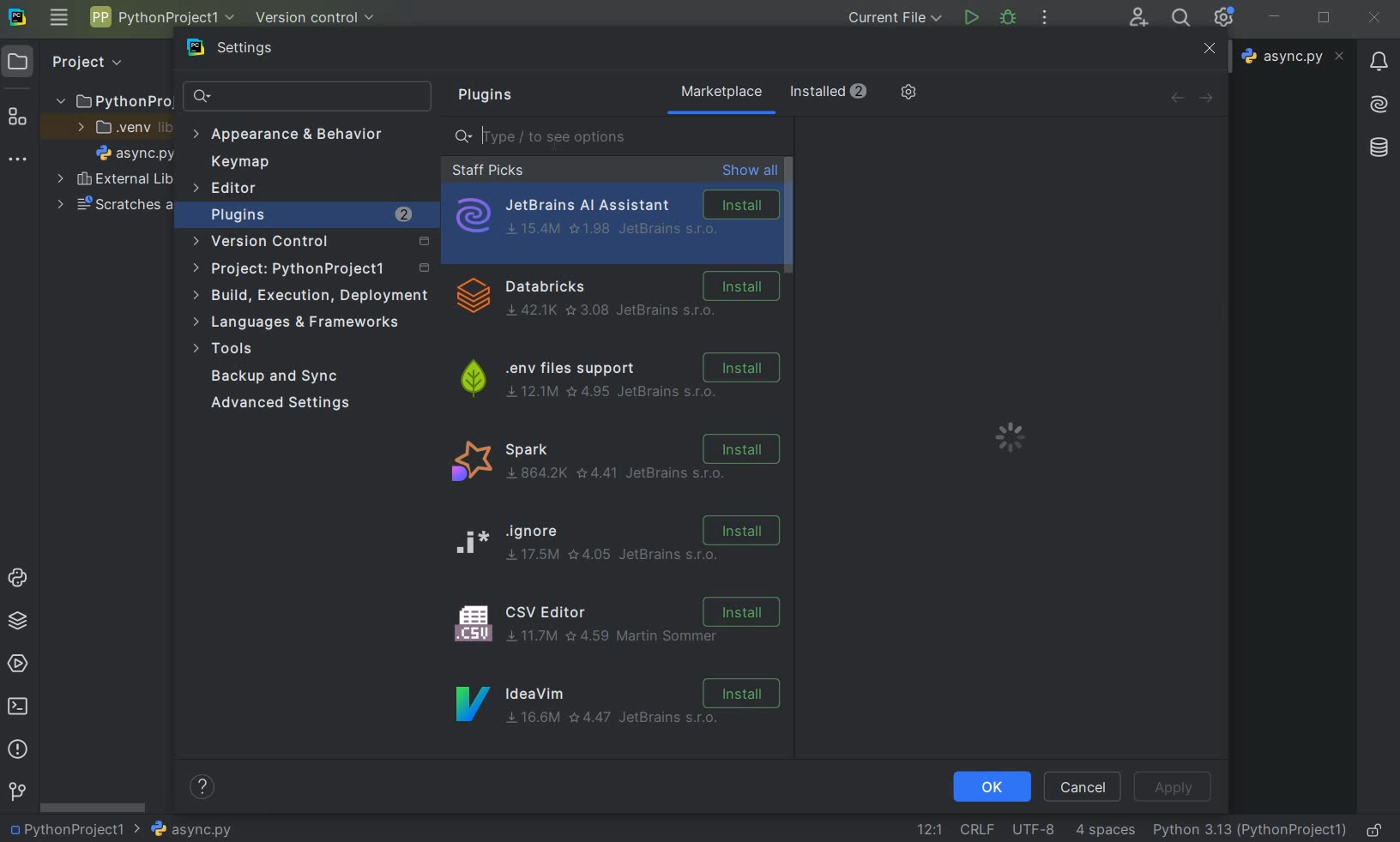  I want to click on AI Assistant, so click(1379, 105).